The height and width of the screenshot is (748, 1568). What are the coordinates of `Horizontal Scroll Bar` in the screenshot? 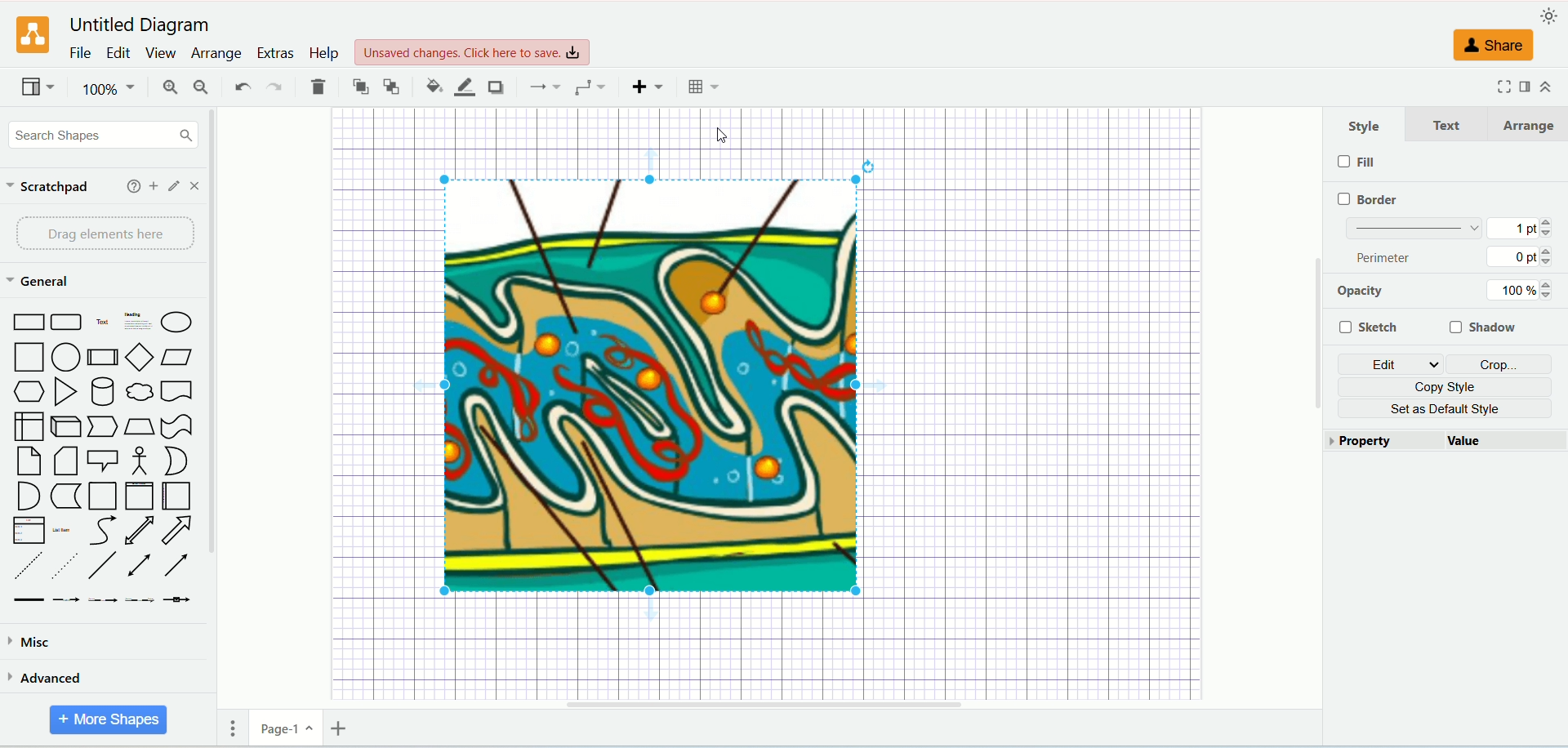 It's located at (774, 702).